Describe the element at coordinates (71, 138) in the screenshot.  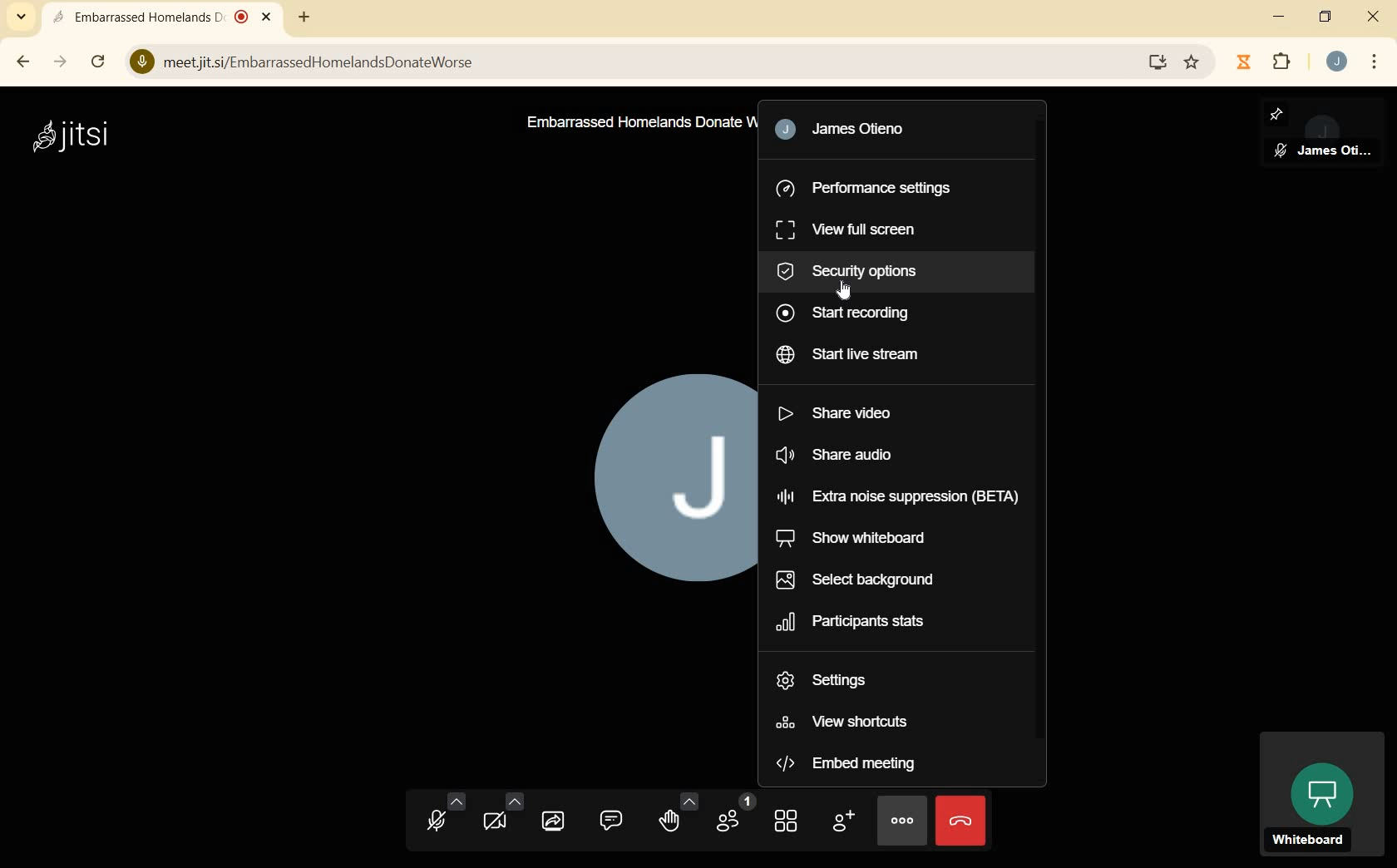
I see `system name` at that location.